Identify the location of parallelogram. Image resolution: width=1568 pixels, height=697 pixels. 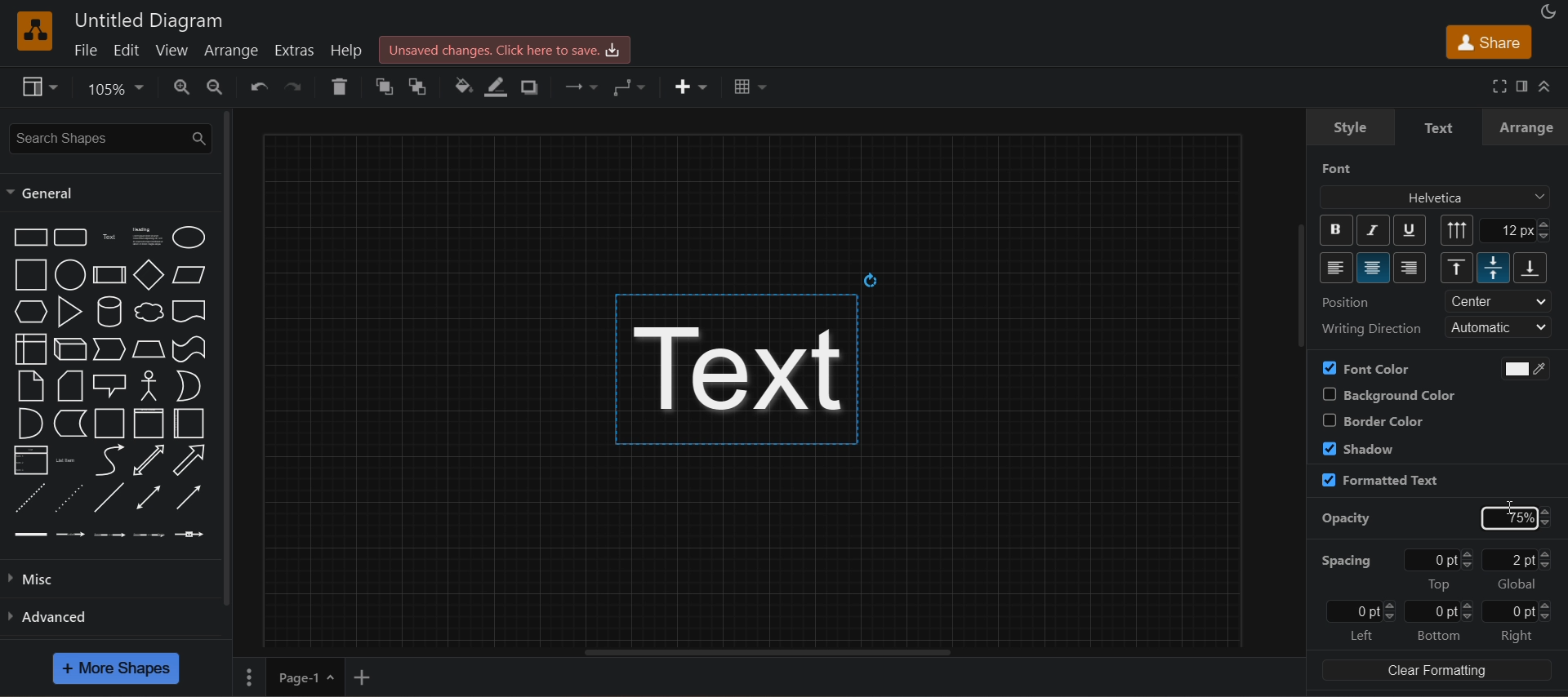
(190, 275).